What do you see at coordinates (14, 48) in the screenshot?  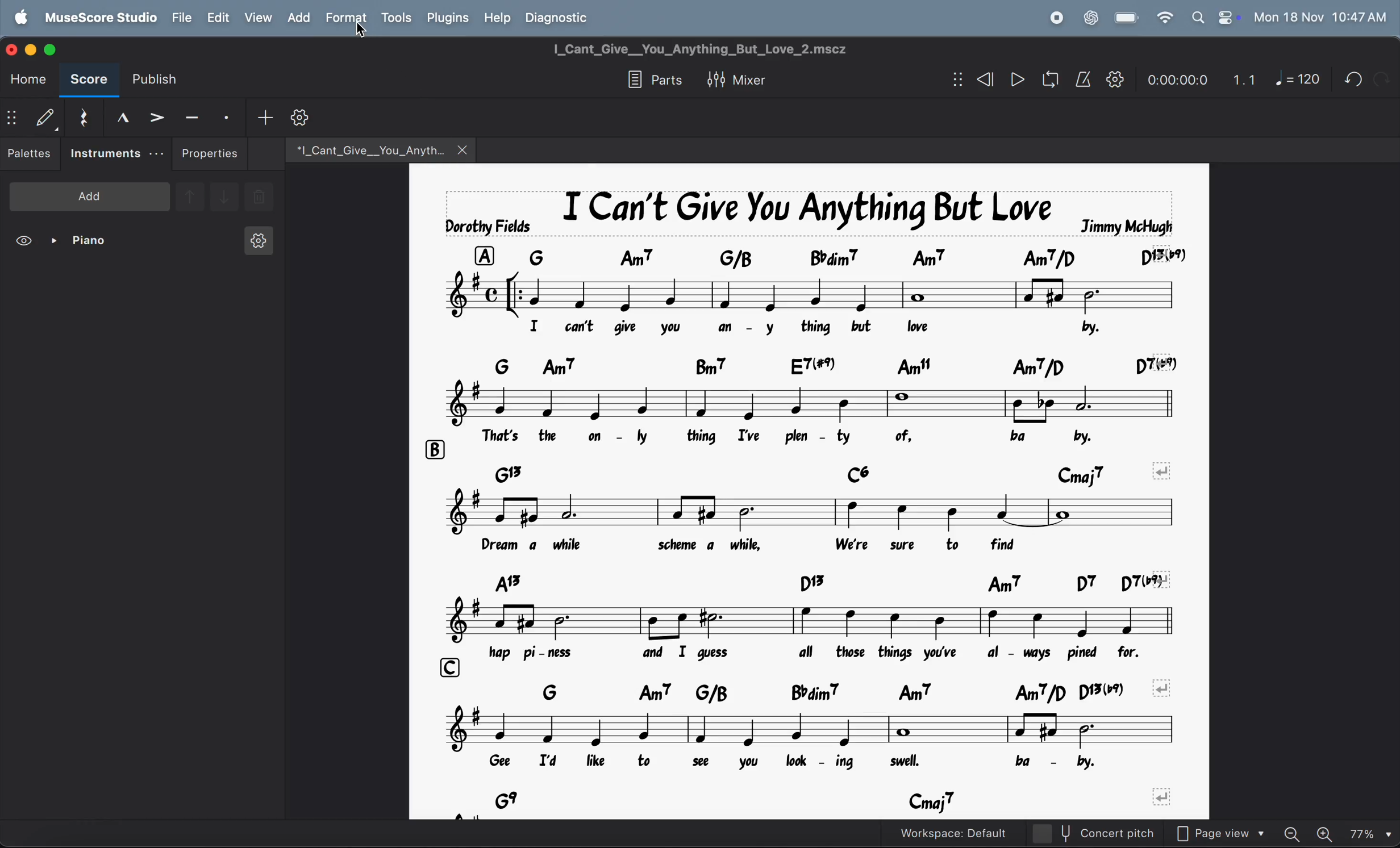 I see `close` at bounding box center [14, 48].